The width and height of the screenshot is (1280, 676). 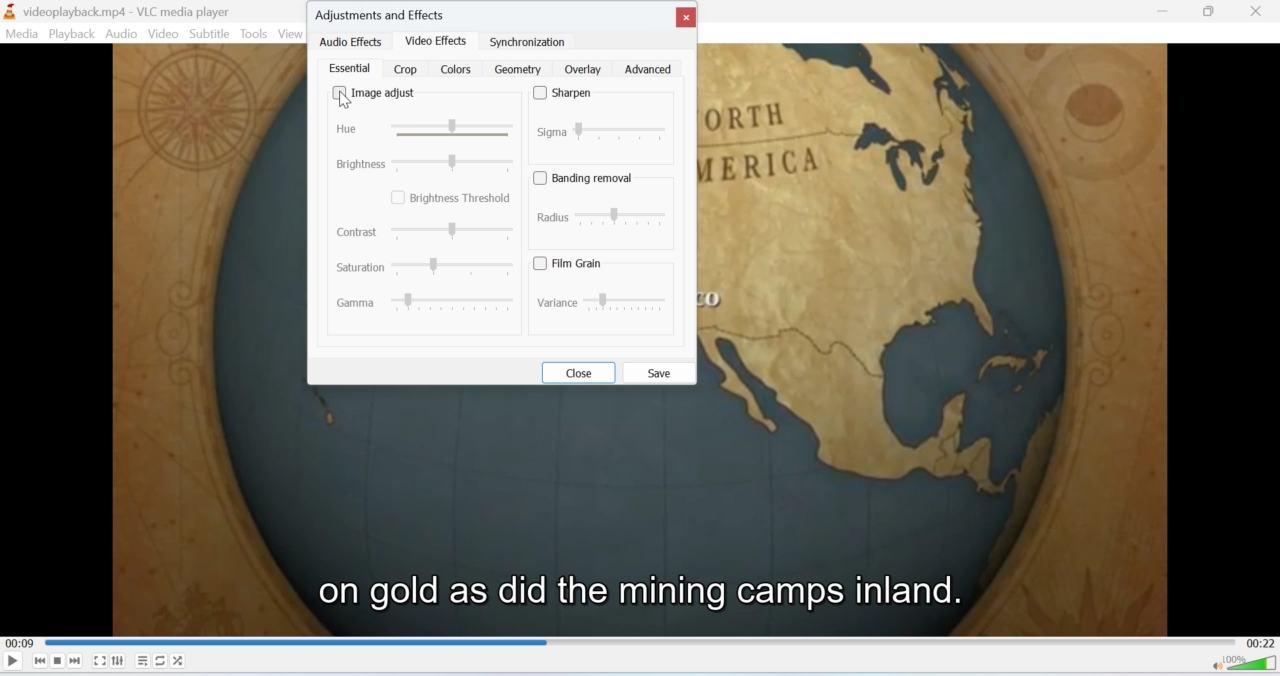 I want to click on contrast, so click(x=427, y=230).